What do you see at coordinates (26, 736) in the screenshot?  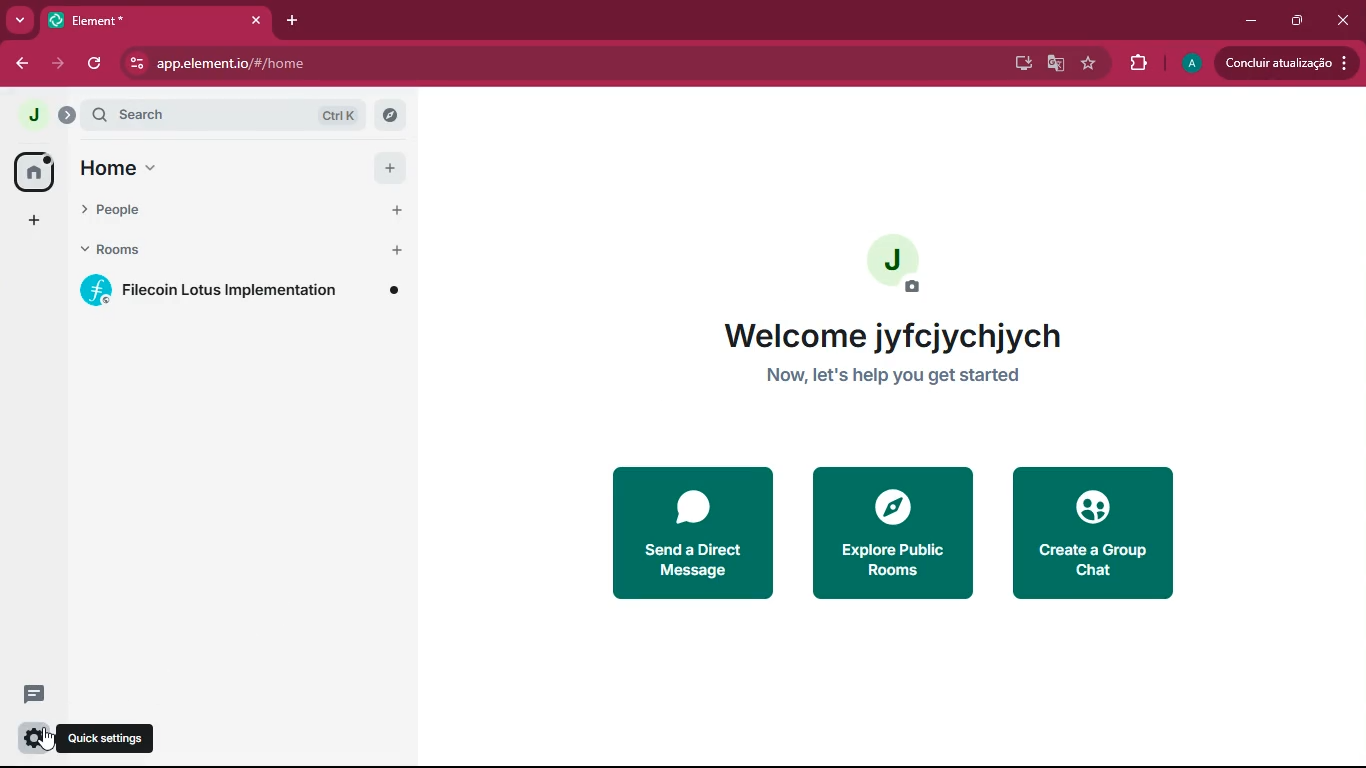 I see `settings` at bounding box center [26, 736].